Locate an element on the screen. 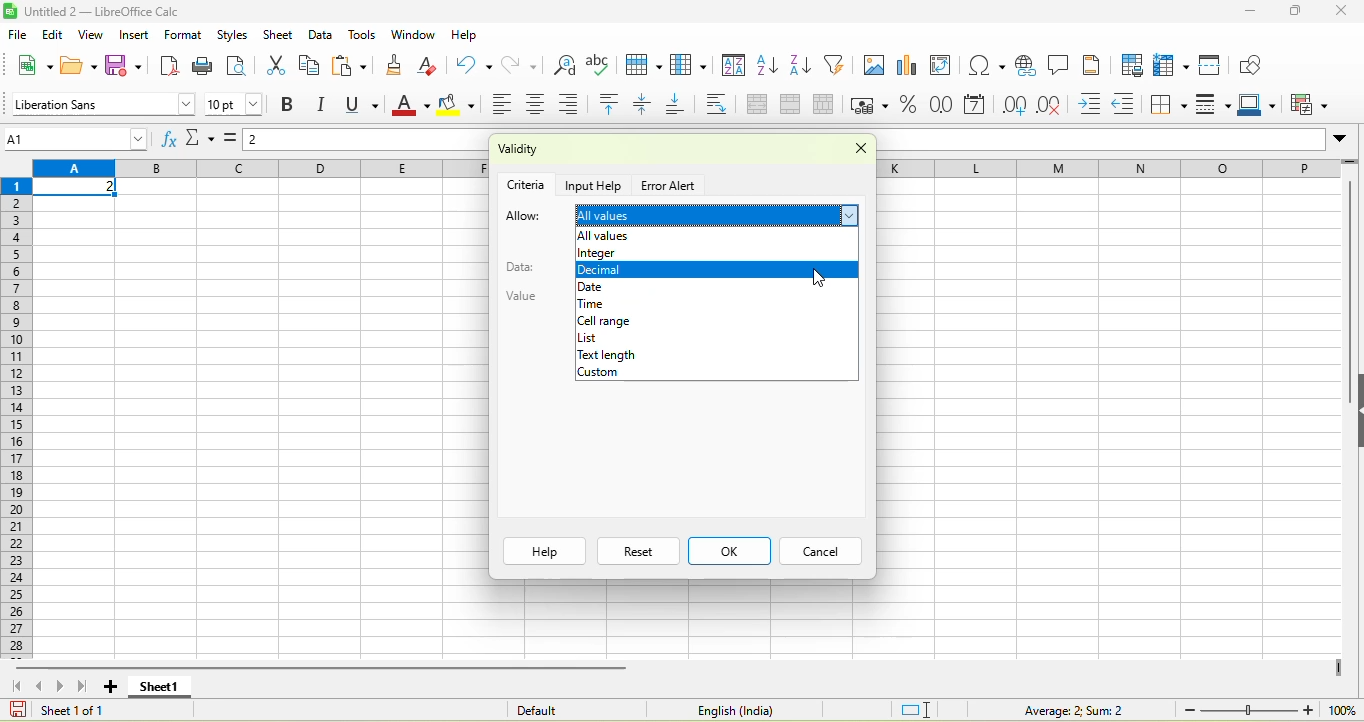  more rows is located at coordinates (1351, 166).